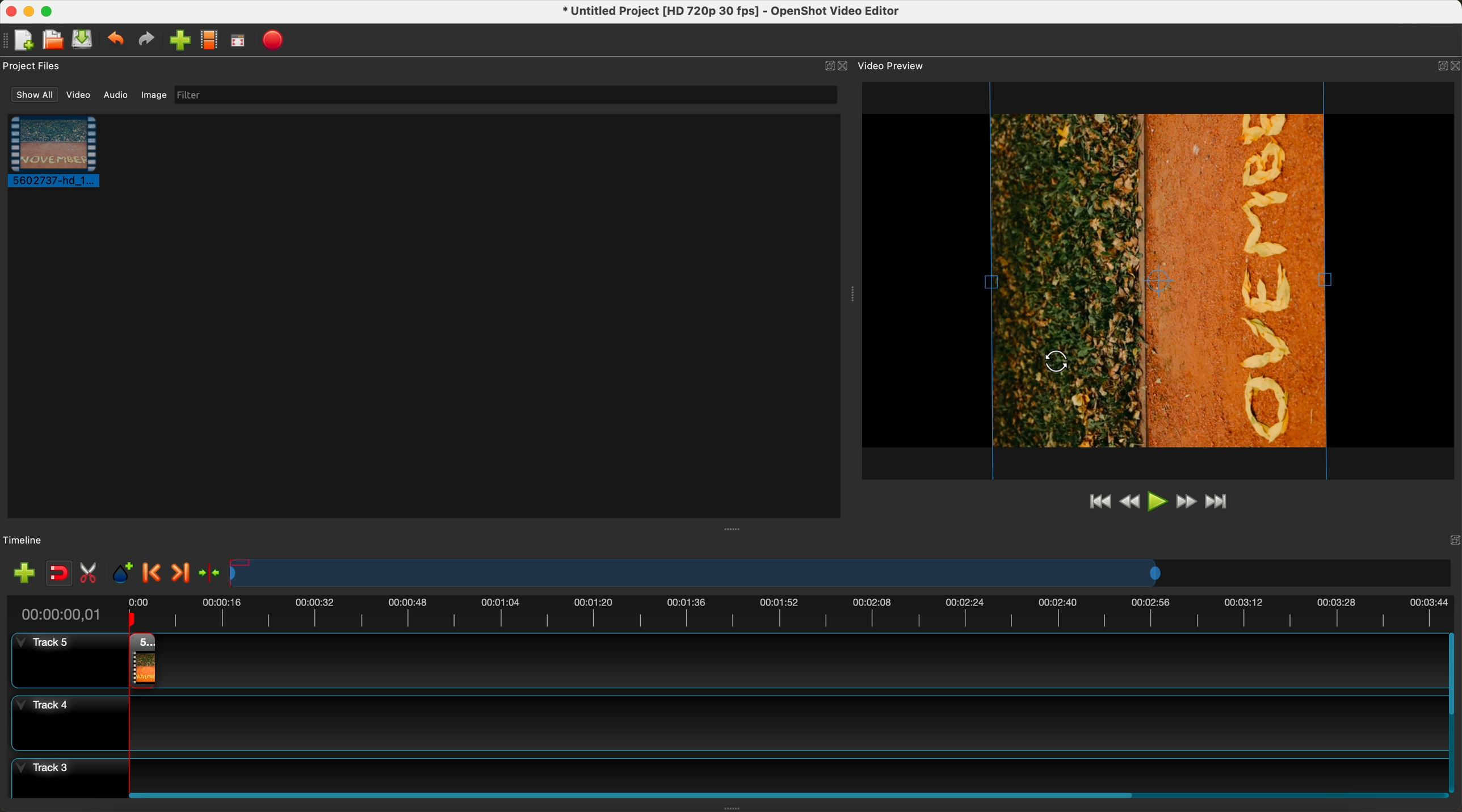 The image size is (1462, 812). What do you see at coordinates (785, 793) in the screenshot?
I see `scroll bar` at bounding box center [785, 793].